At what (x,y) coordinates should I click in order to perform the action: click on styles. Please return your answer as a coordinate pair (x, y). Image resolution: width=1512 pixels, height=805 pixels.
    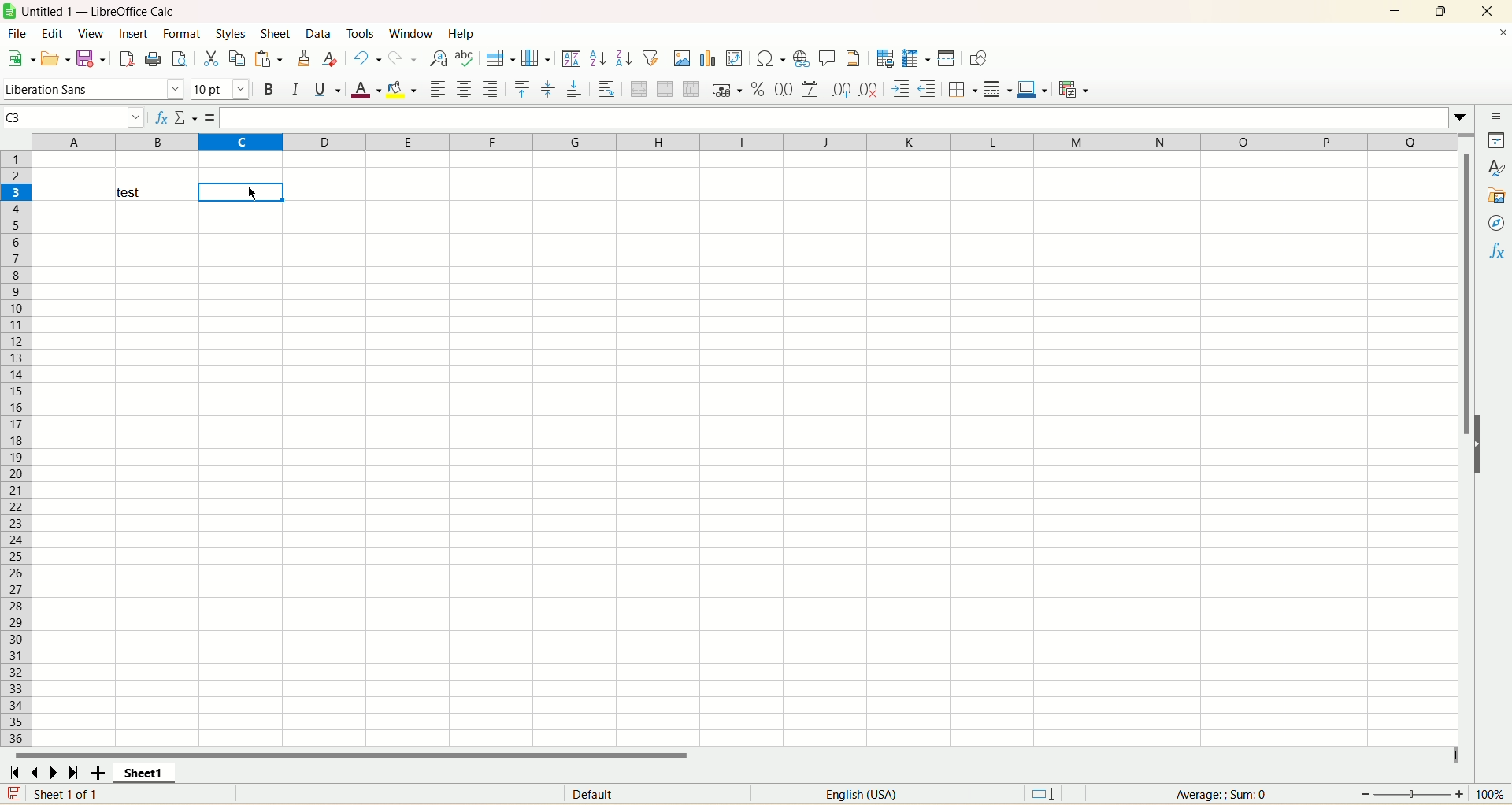
    Looking at the image, I should click on (232, 33).